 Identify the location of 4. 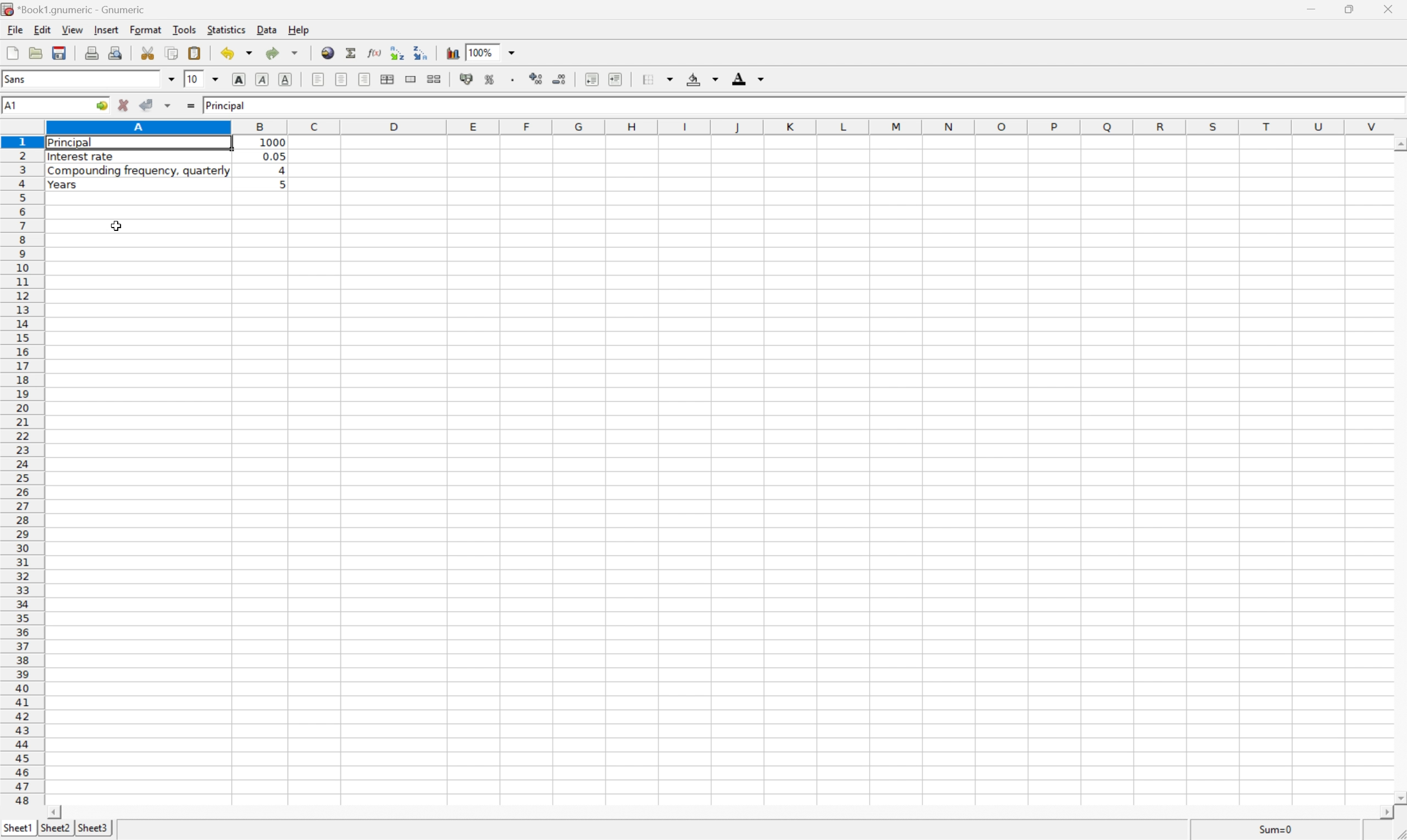
(283, 169).